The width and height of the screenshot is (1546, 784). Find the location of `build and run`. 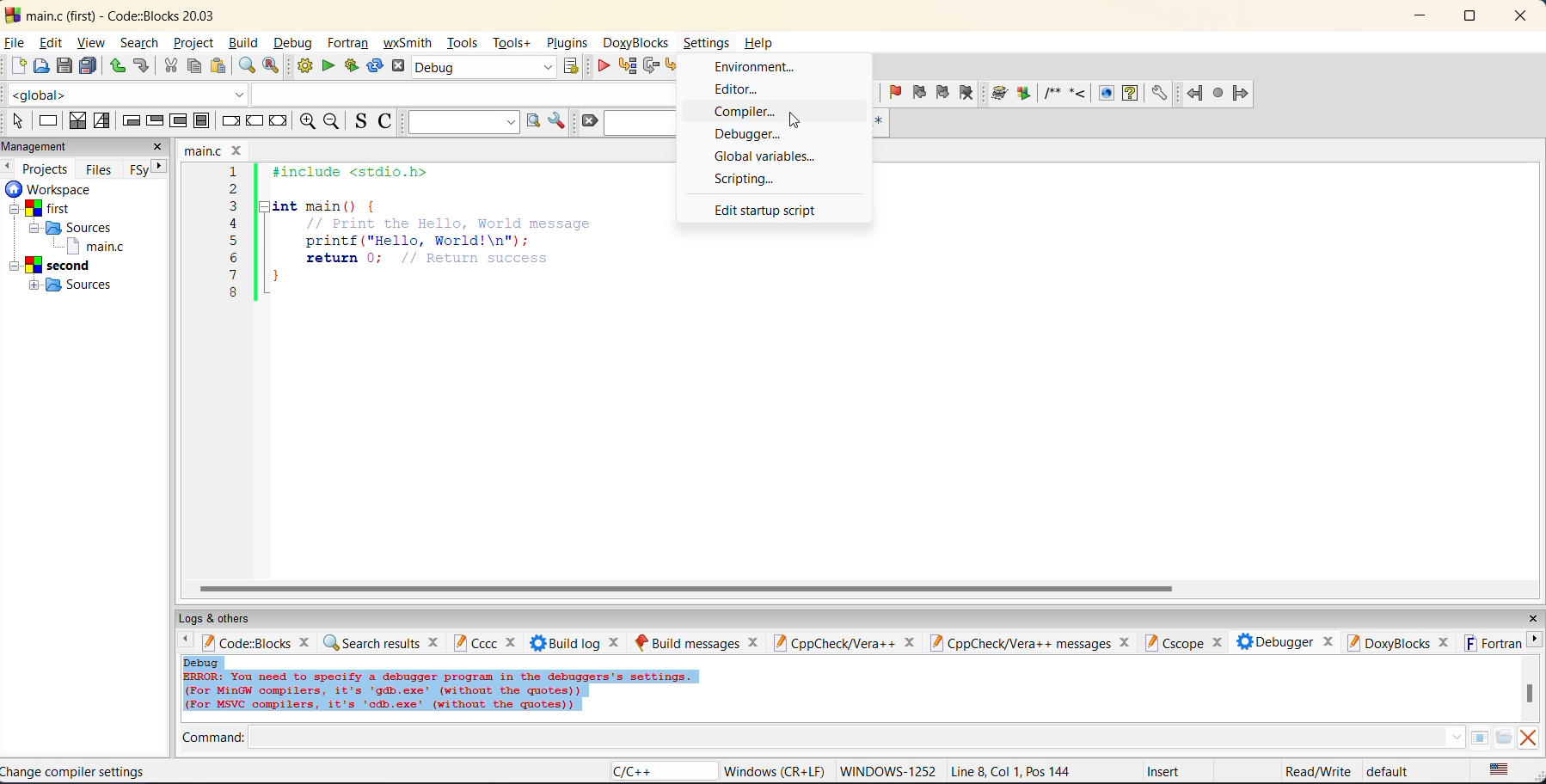

build and run is located at coordinates (353, 67).